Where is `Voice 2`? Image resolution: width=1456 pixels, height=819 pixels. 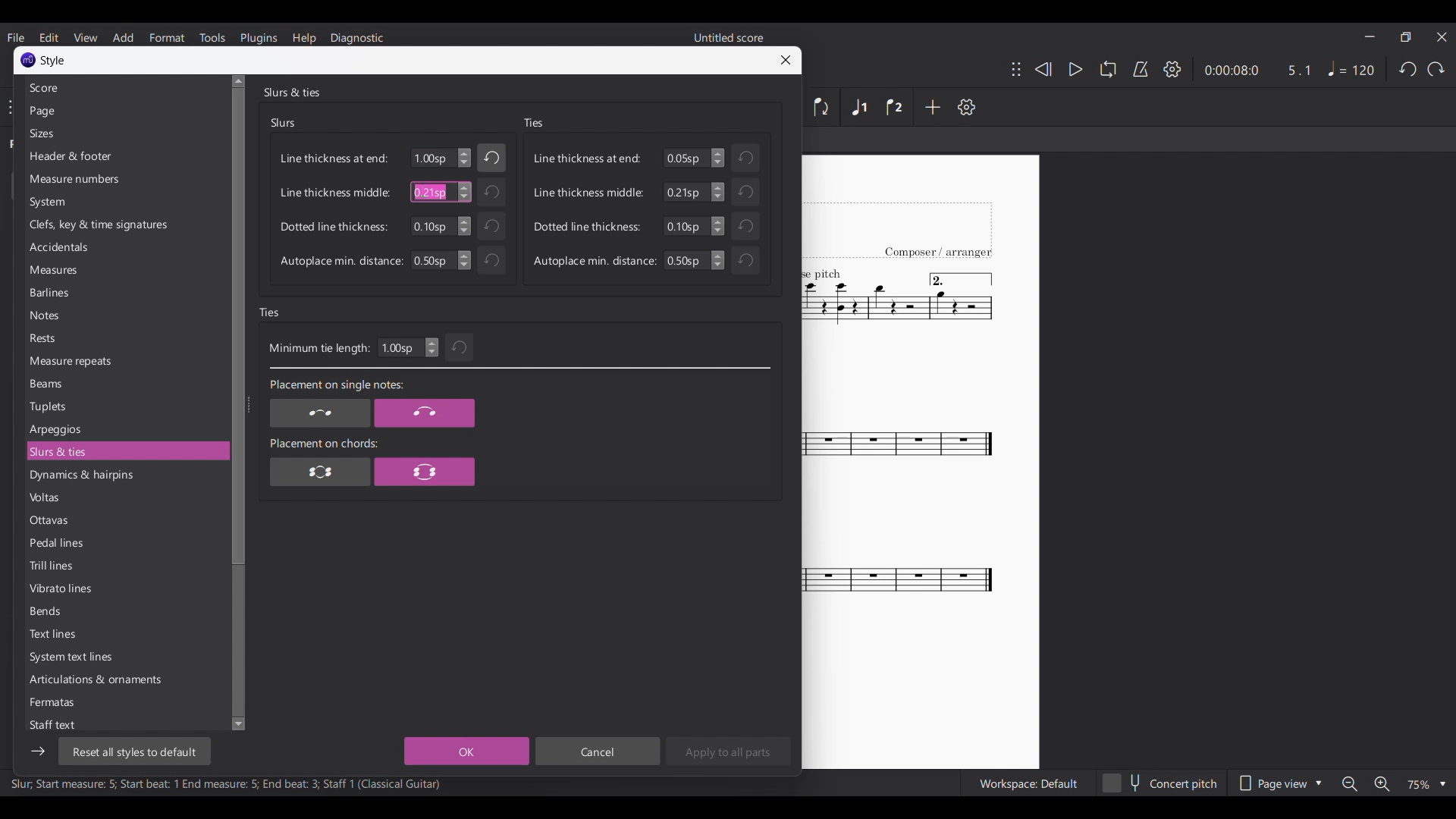 Voice 2 is located at coordinates (894, 107).